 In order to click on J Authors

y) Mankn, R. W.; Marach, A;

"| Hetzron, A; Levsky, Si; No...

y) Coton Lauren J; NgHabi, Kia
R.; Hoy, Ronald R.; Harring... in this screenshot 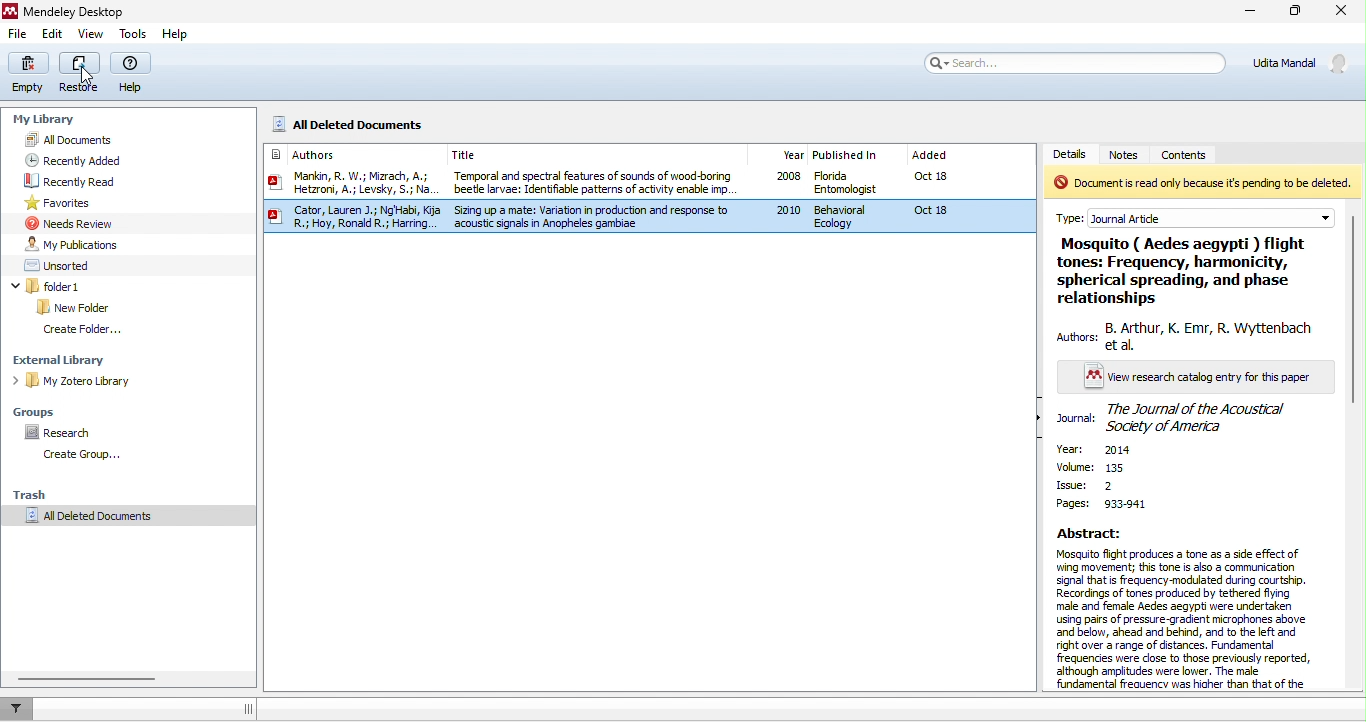, I will do `click(351, 191)`.